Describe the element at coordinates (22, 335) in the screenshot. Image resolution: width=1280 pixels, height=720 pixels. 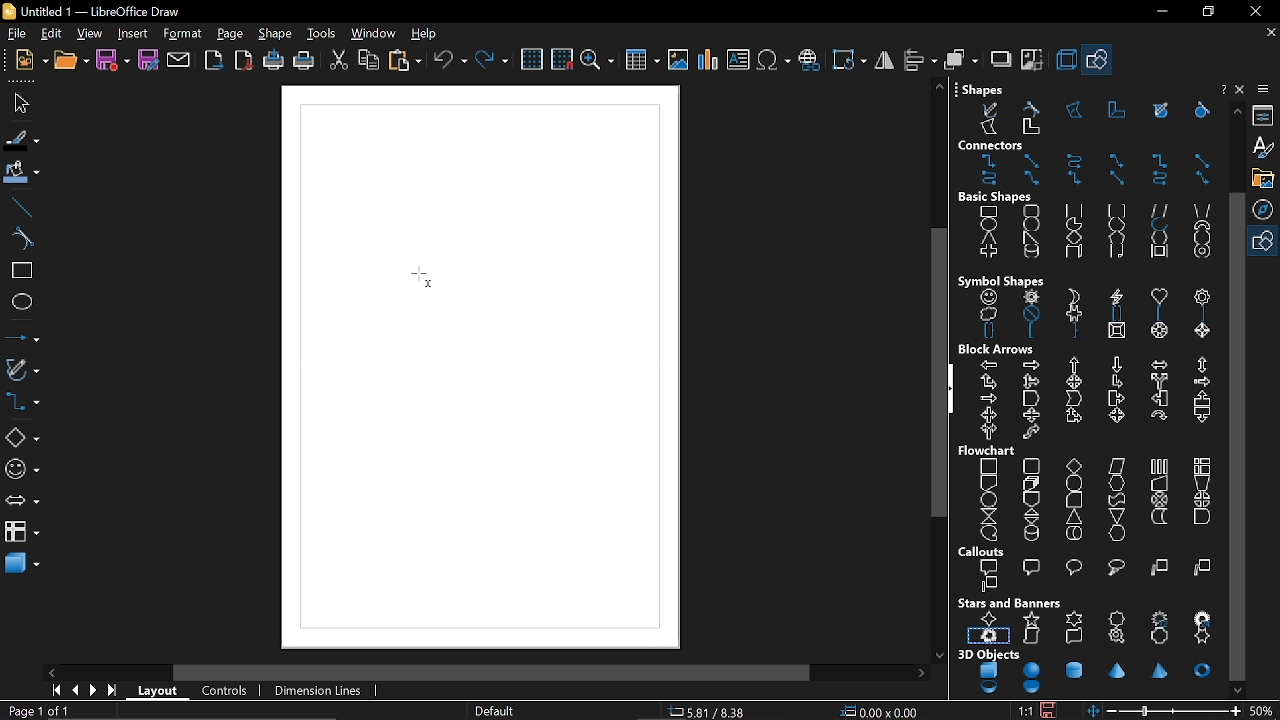
I see `lines and arrows` at that location.